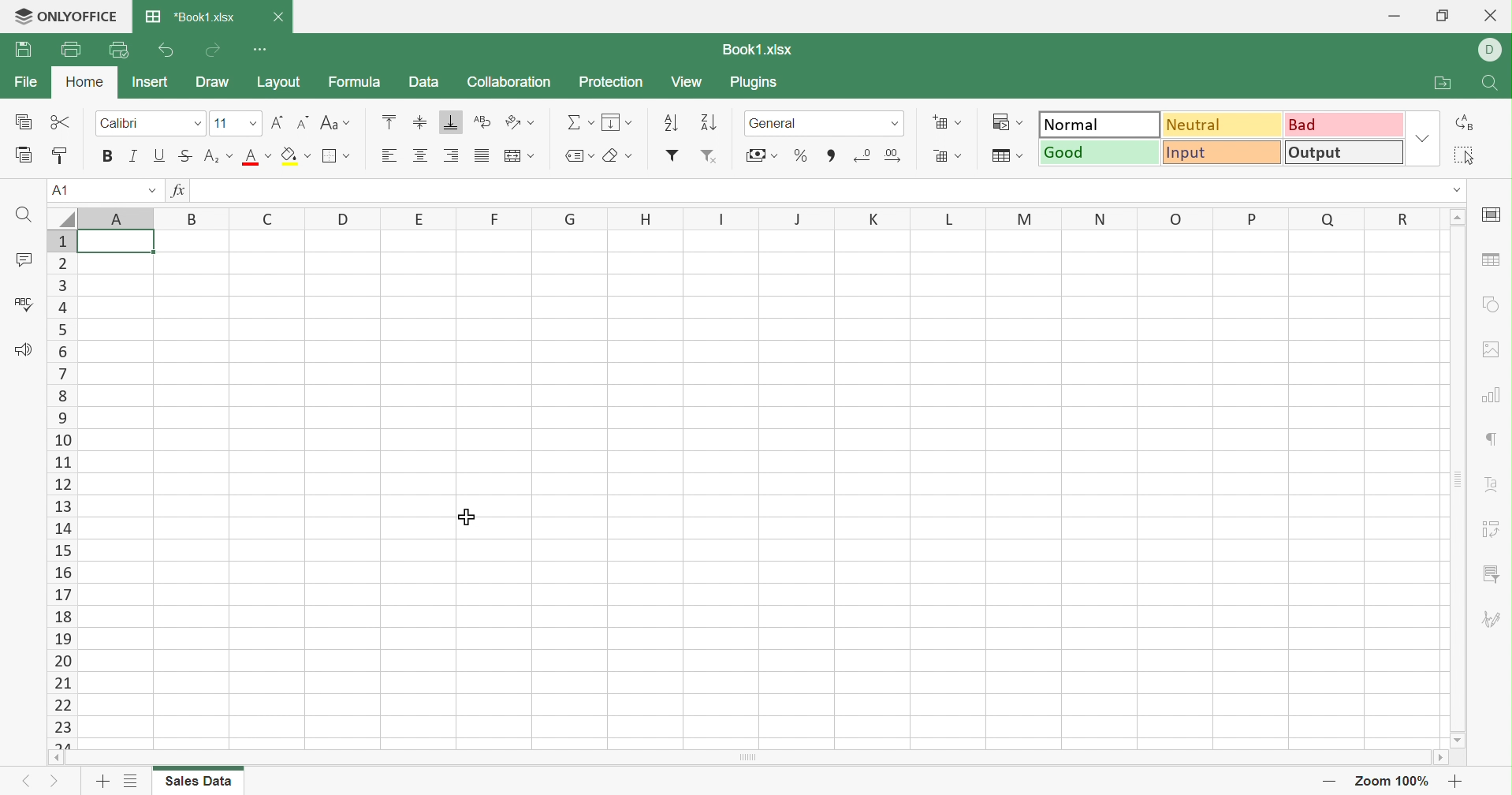  What do you see at coordinates (1099, 125) in the screenshot?
I see `Normal` at bounding box center [1099, 125].